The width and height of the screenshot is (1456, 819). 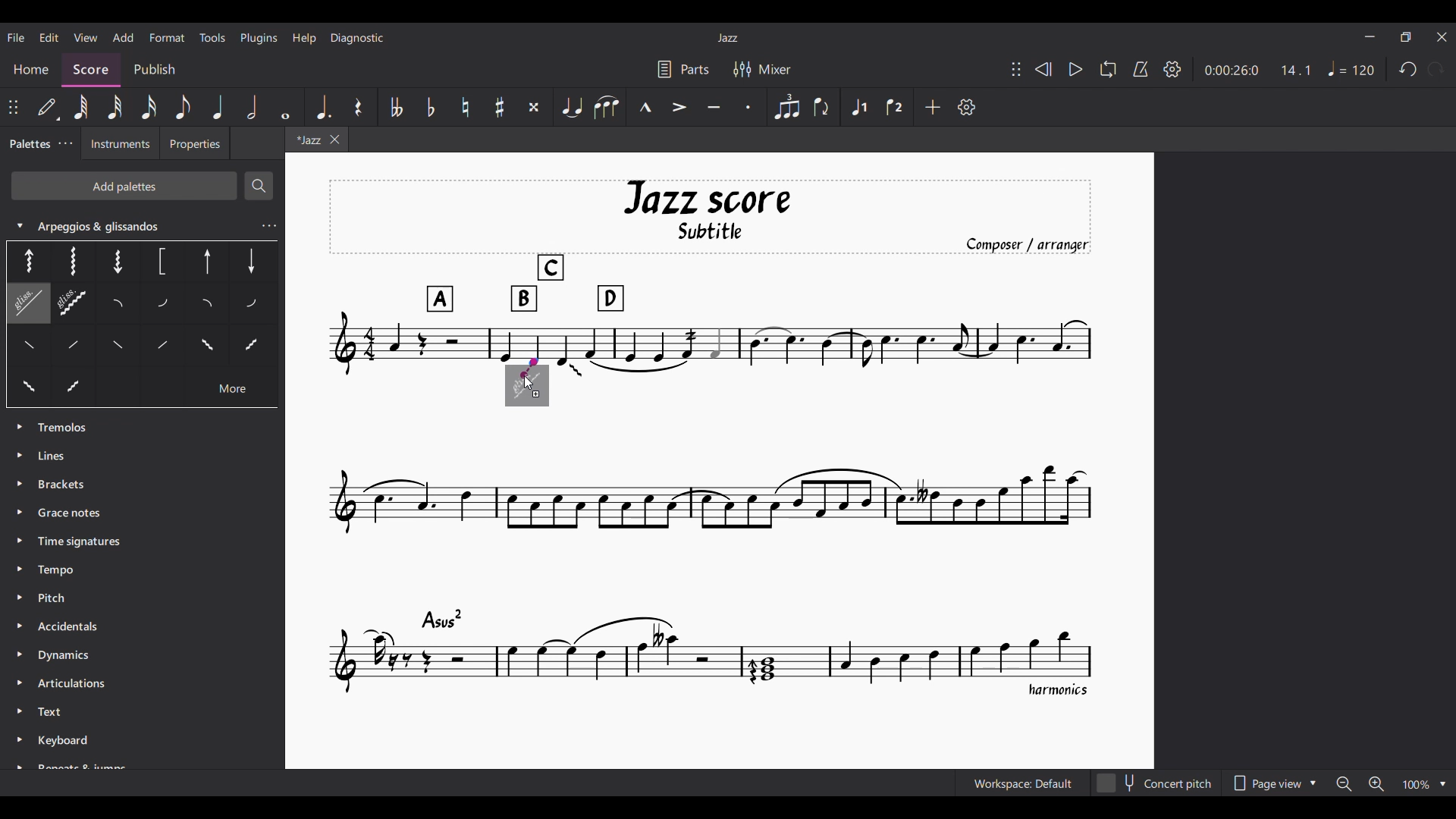 I want to click on Marcato, so click(x=645, y=107).